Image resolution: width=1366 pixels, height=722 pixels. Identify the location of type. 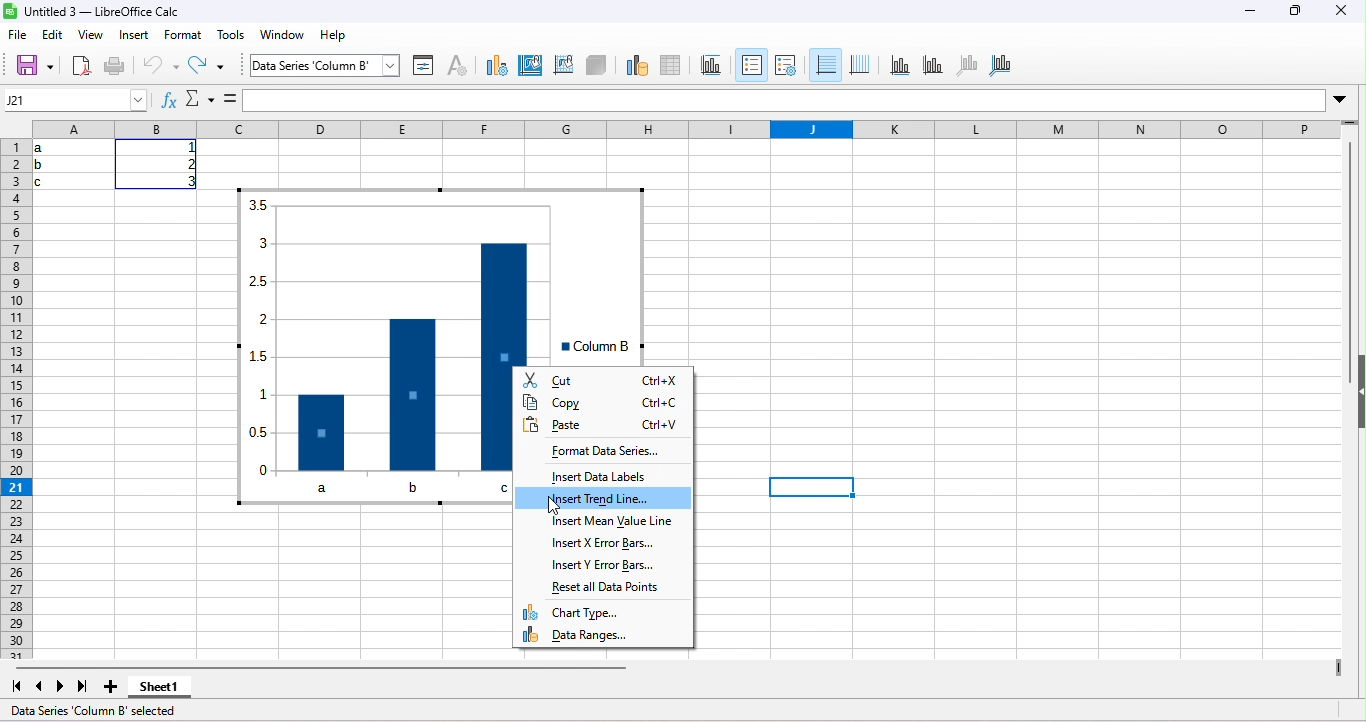
(499, 69).